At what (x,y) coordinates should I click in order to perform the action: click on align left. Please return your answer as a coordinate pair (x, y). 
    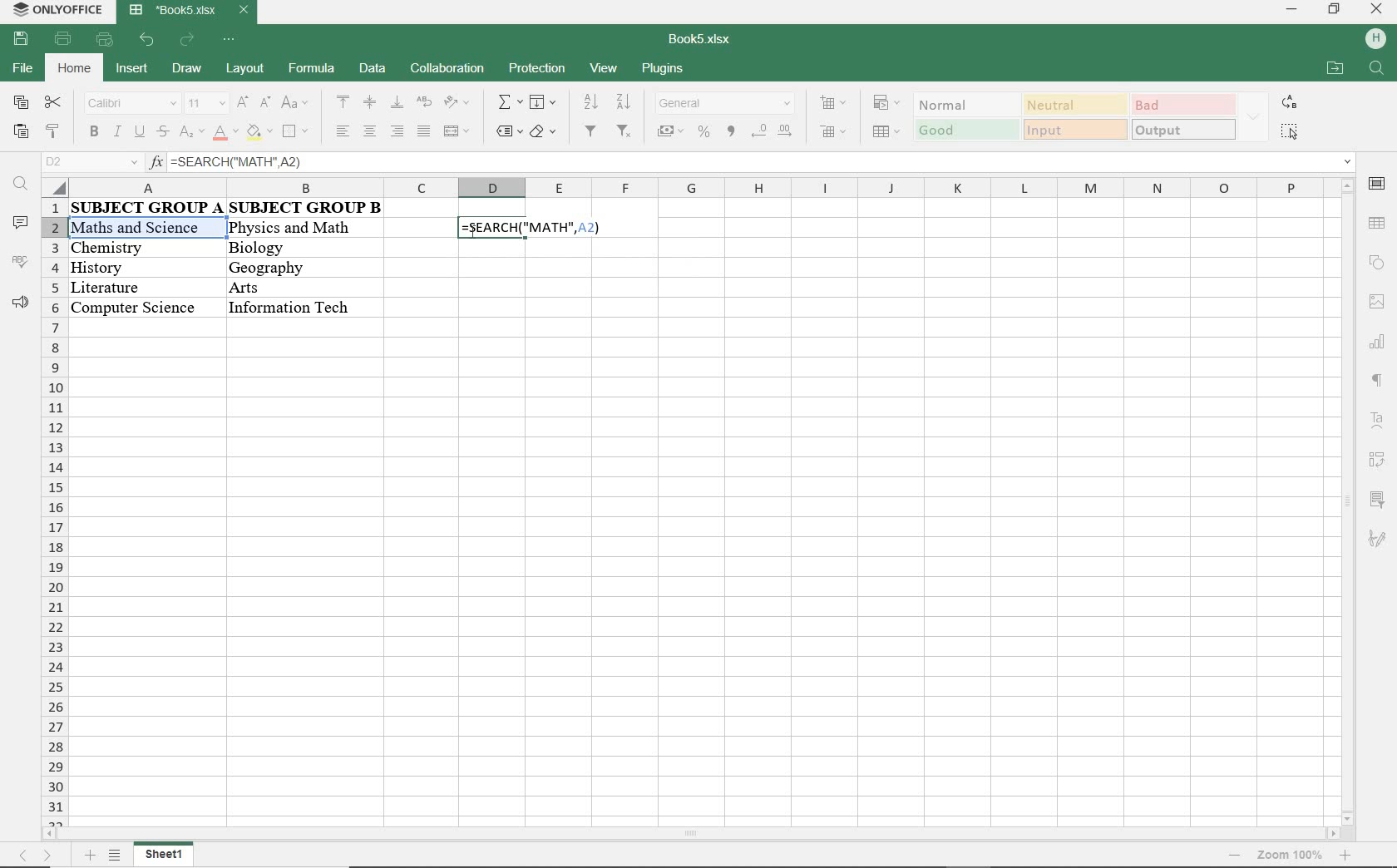
    Looking at the image, I should click on (345, 131).